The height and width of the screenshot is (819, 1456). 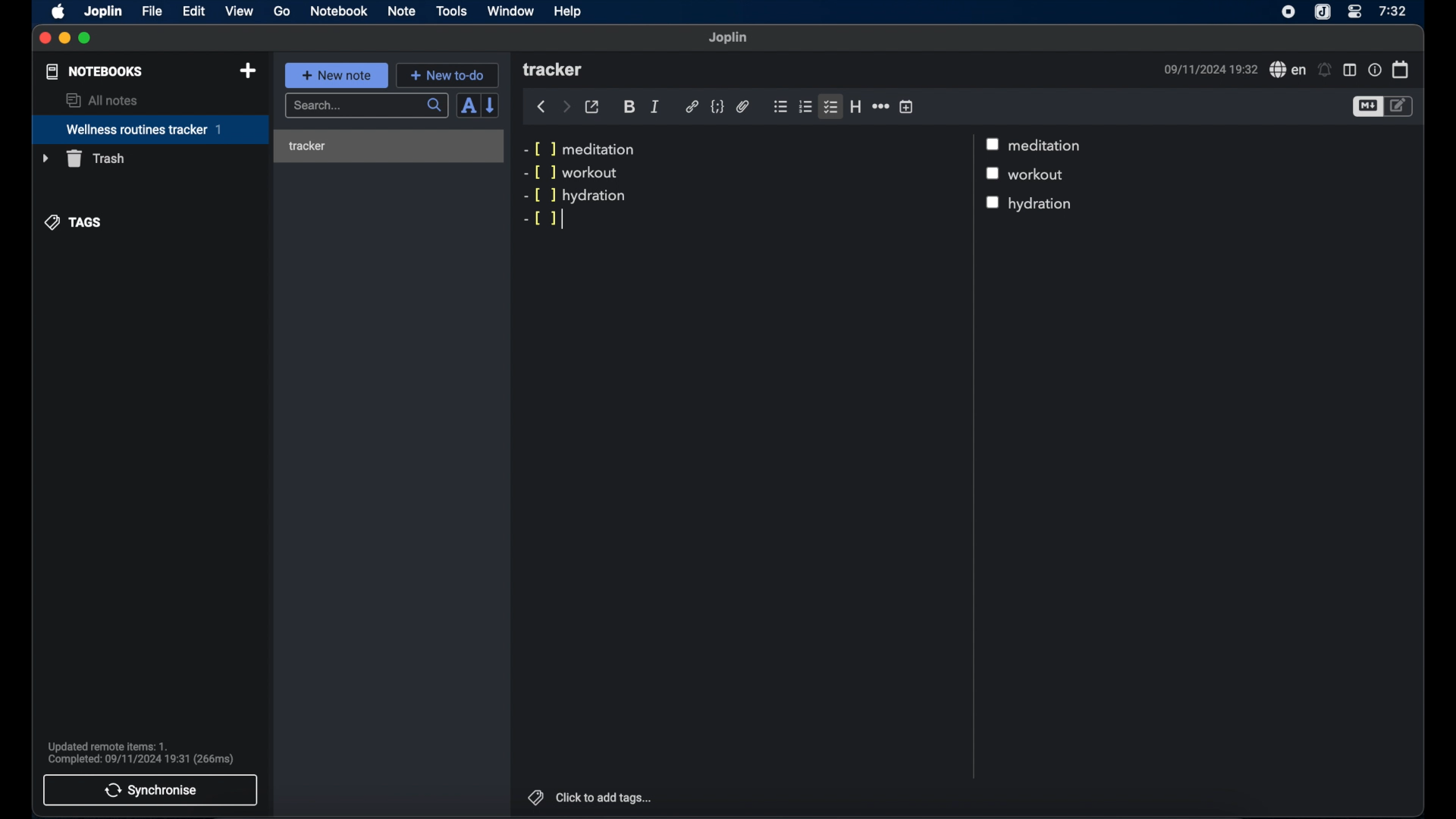 I want to click on toggle external editor, so click(x=592, y=106).